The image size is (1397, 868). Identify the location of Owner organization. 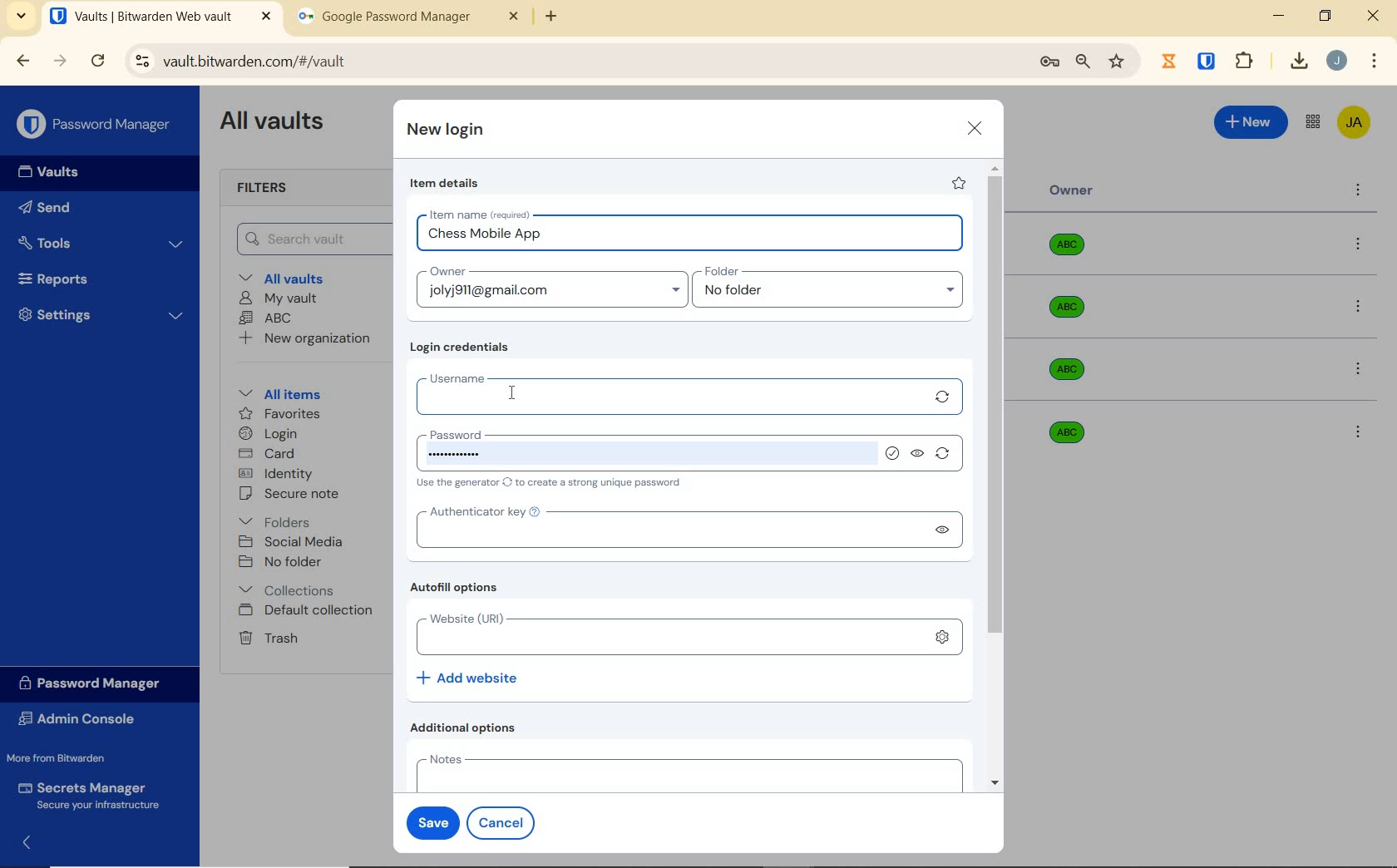
(1063, 431).